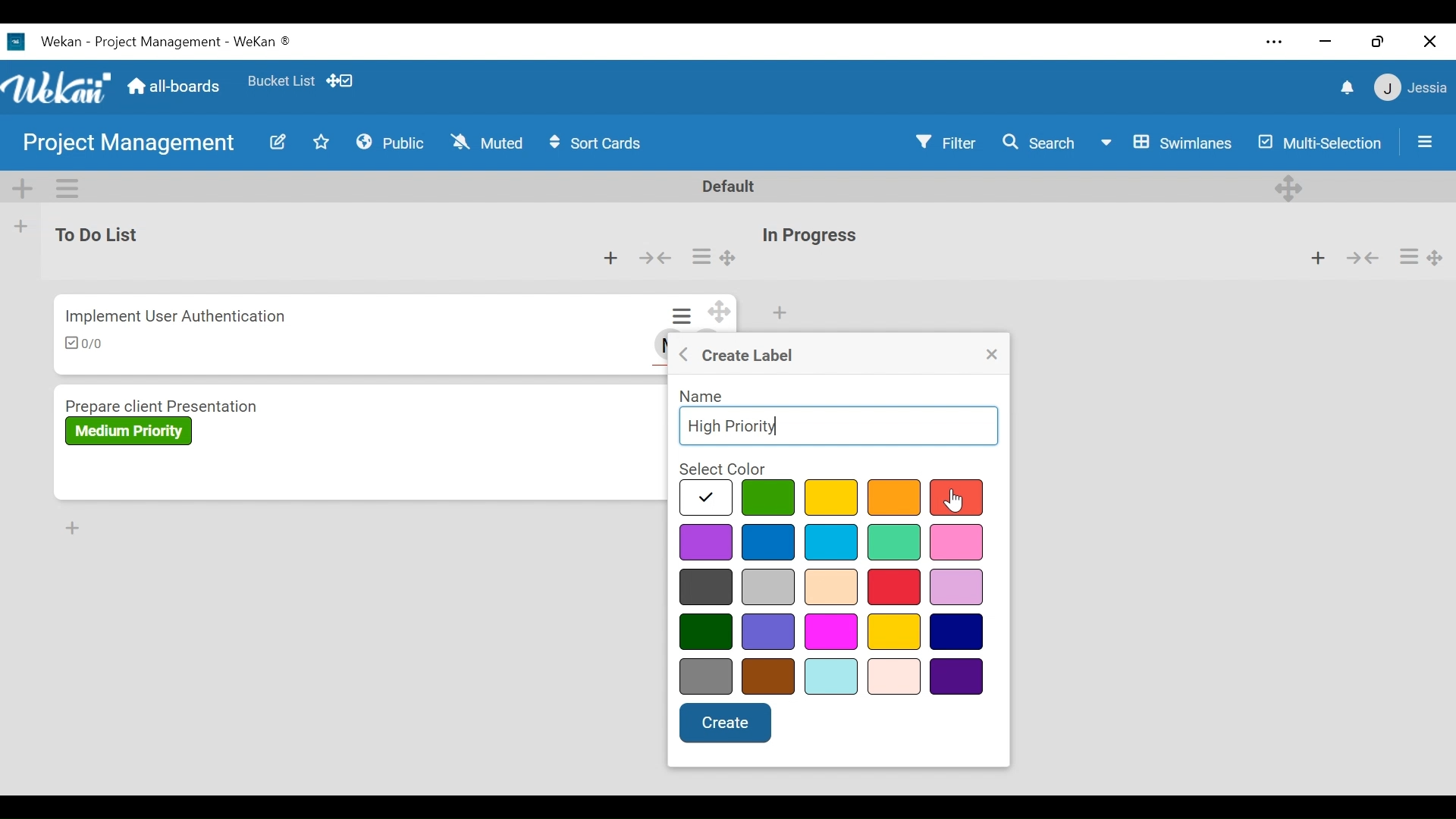 Image resolution: width=1456 pixels, height=819 pixels. What do you see at coordinates (723, 469) in the screenshot?
I see `Select color` at bounding box center [723, 469].